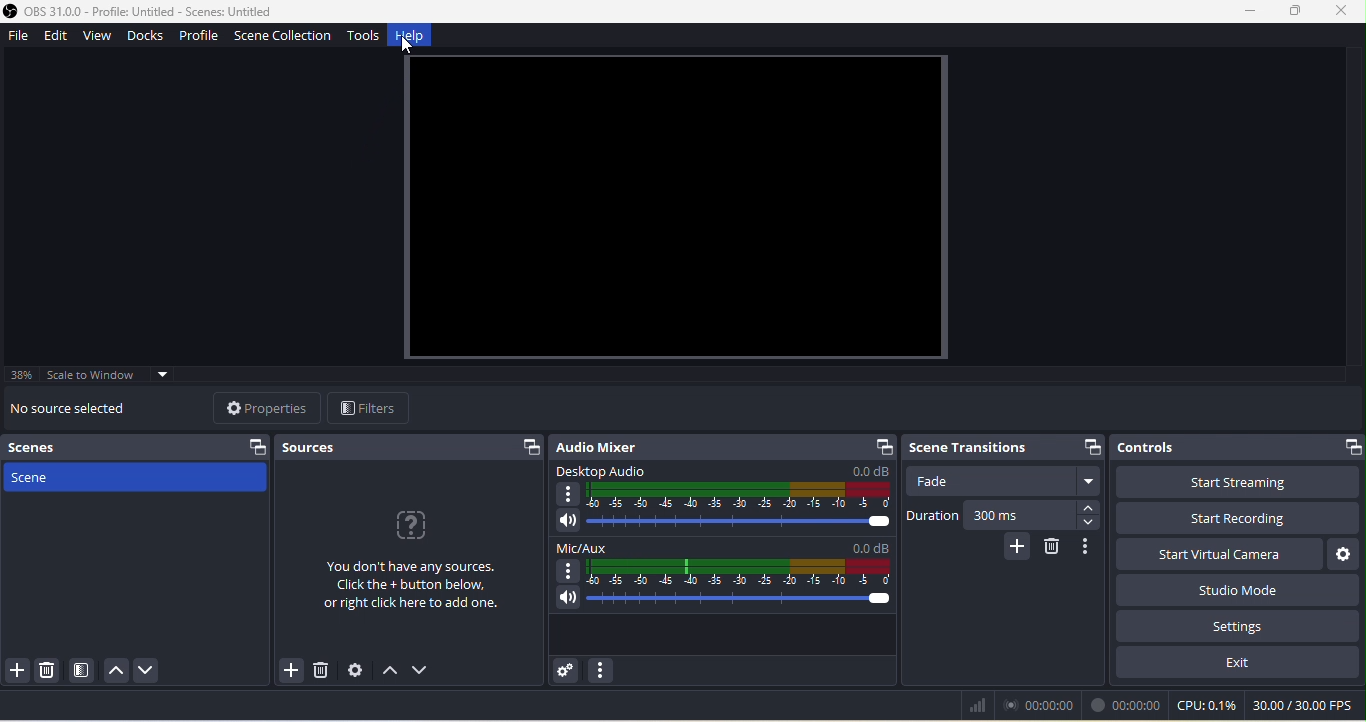 Image resolution: width=1366 pixels, height=722 pixels. I want to click on screen, so click(677, 208).